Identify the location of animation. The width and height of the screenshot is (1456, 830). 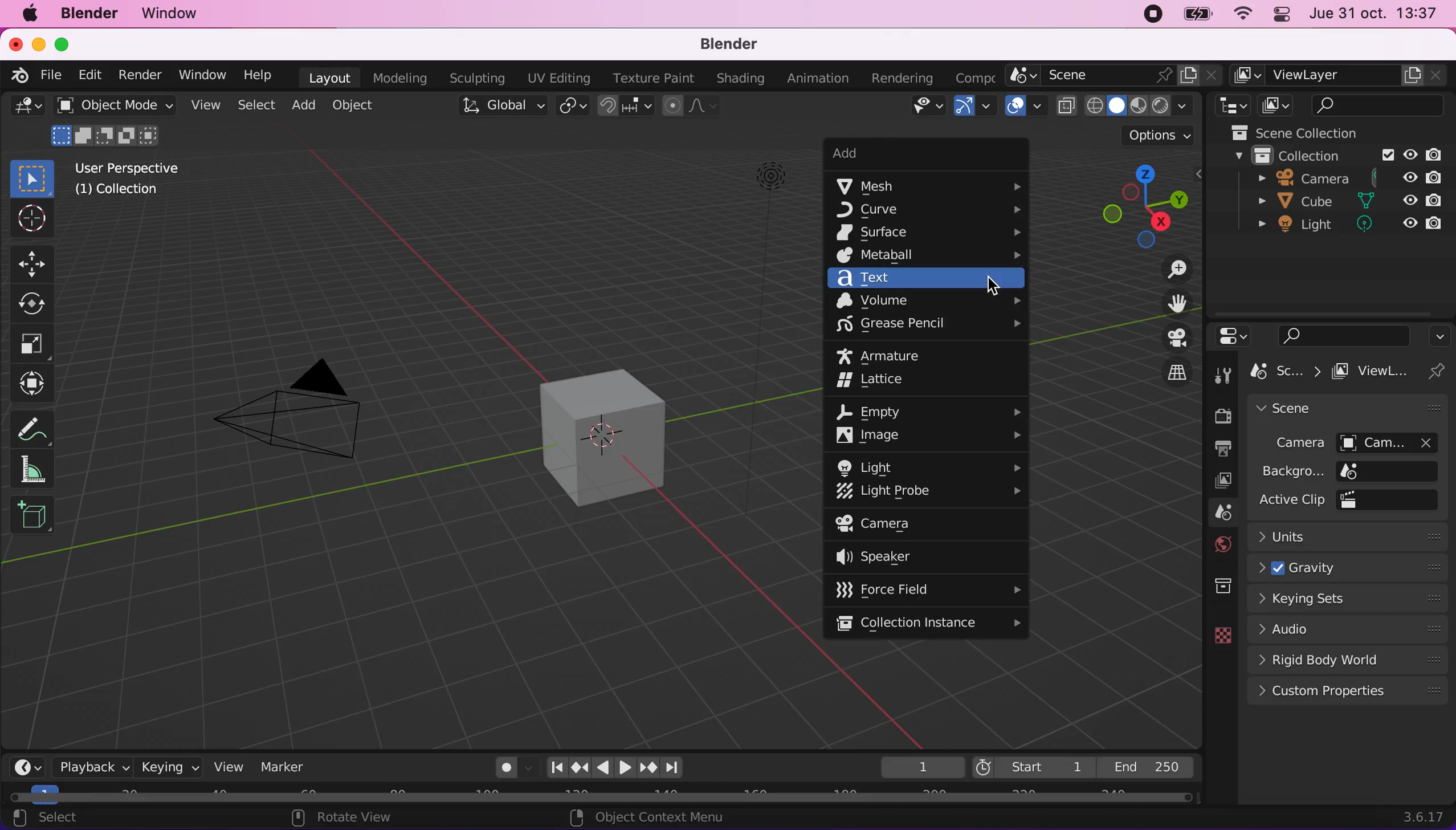
(818, 78).